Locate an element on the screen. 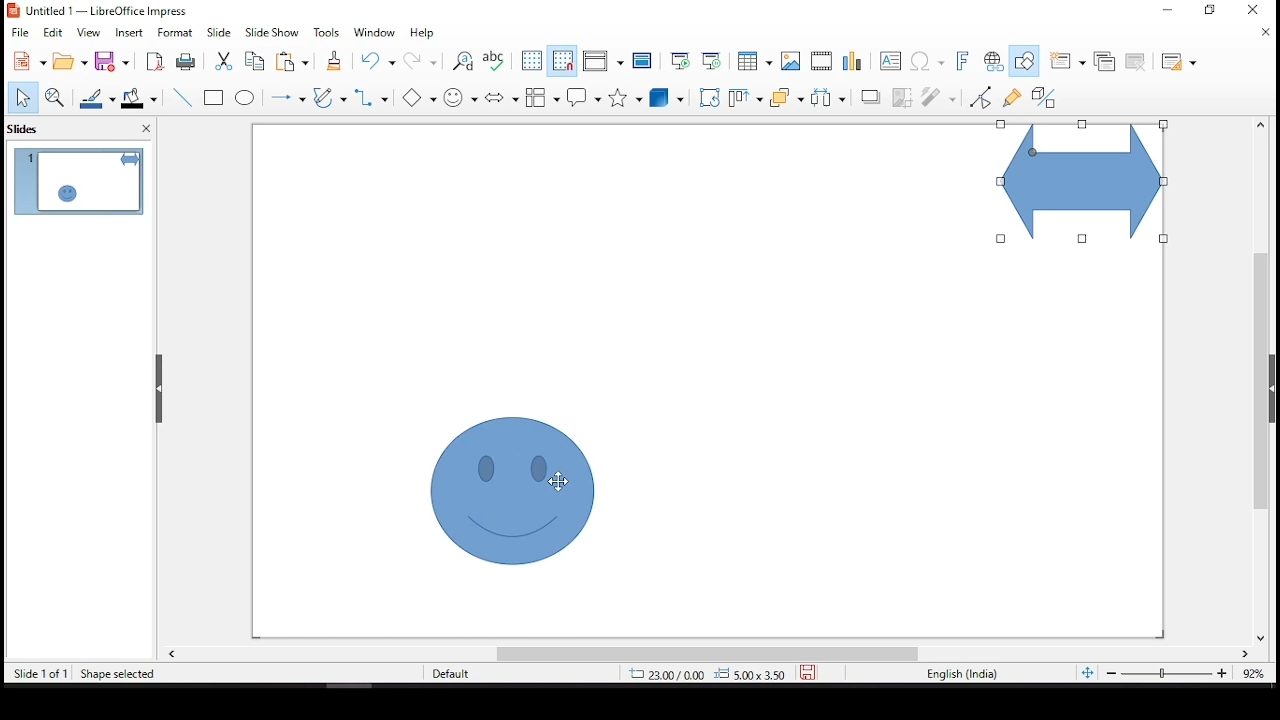 The width and height of the screenshot is (1280, 720).  is located at coordinates (423, 98).